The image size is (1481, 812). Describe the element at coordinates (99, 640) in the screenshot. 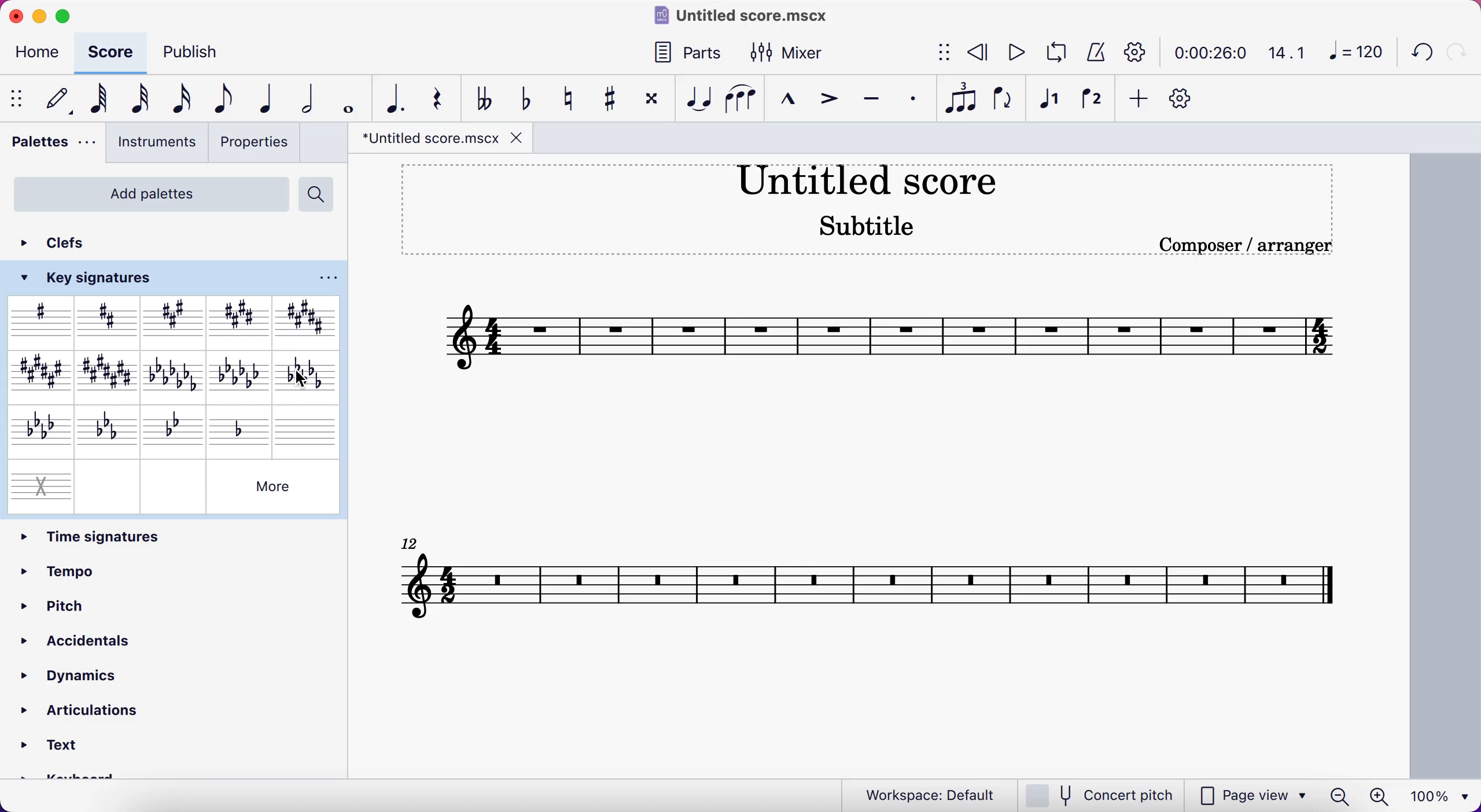

I see `accidentals` at that location.